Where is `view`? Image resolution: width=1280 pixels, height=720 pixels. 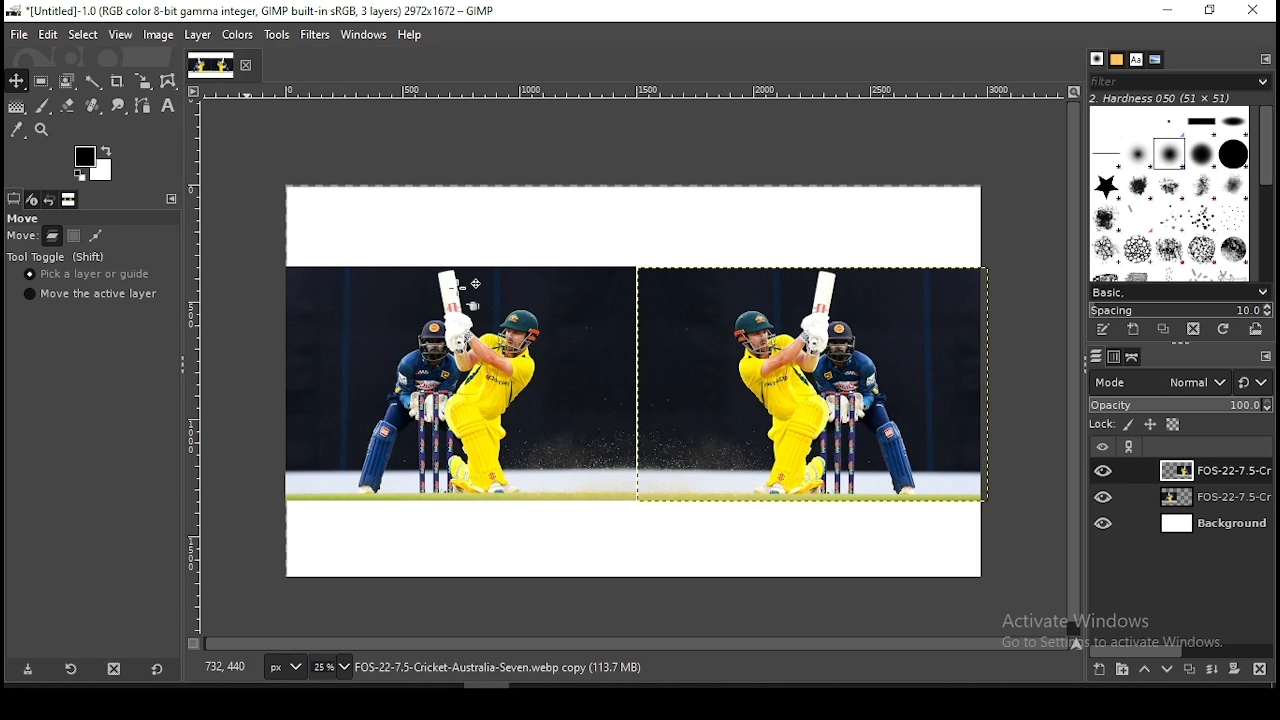 view is located at coordinates (119, 34).